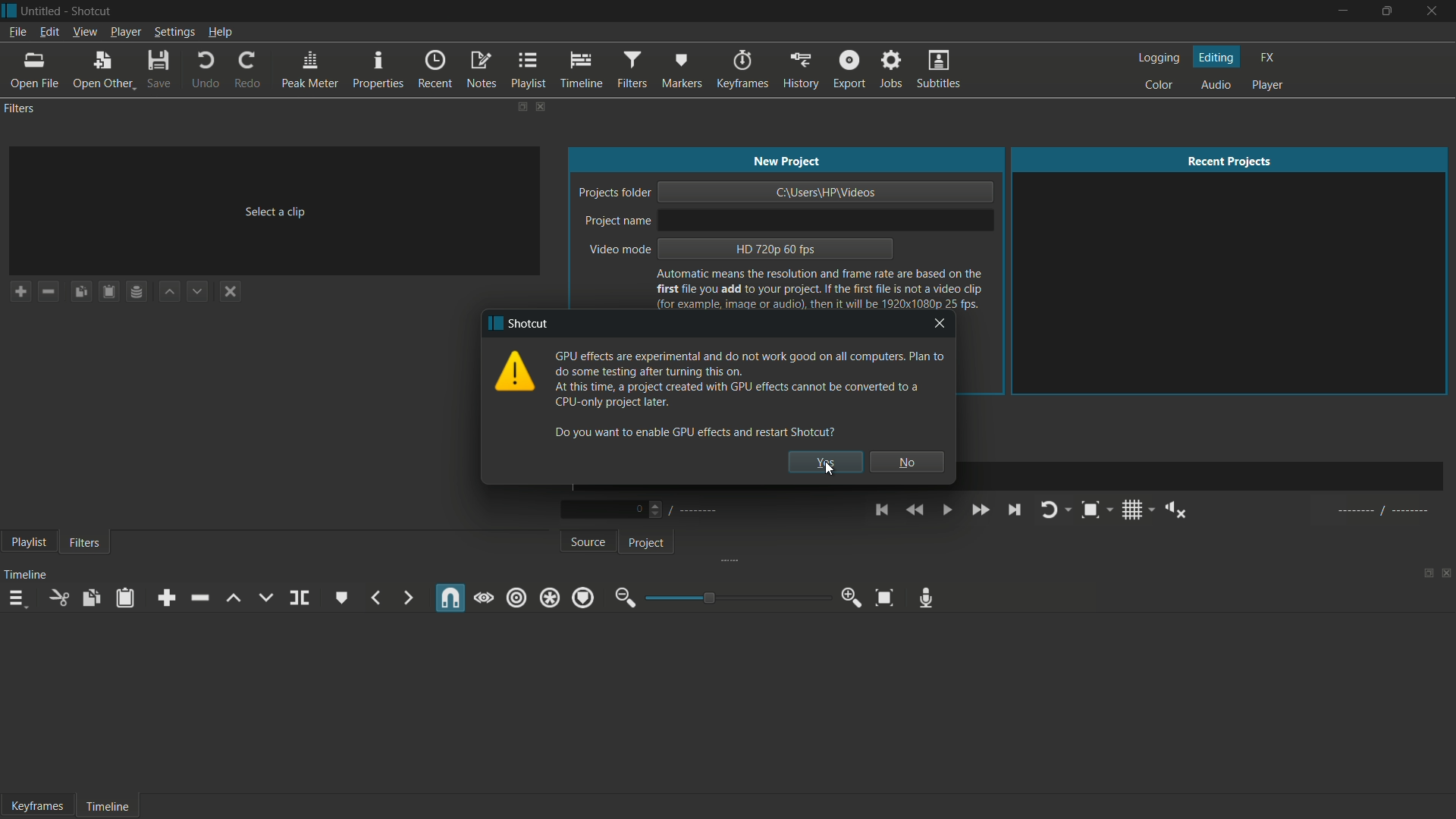 This screenshot has width=1456, height=819. I want to click on audio, so click(1219, 85).